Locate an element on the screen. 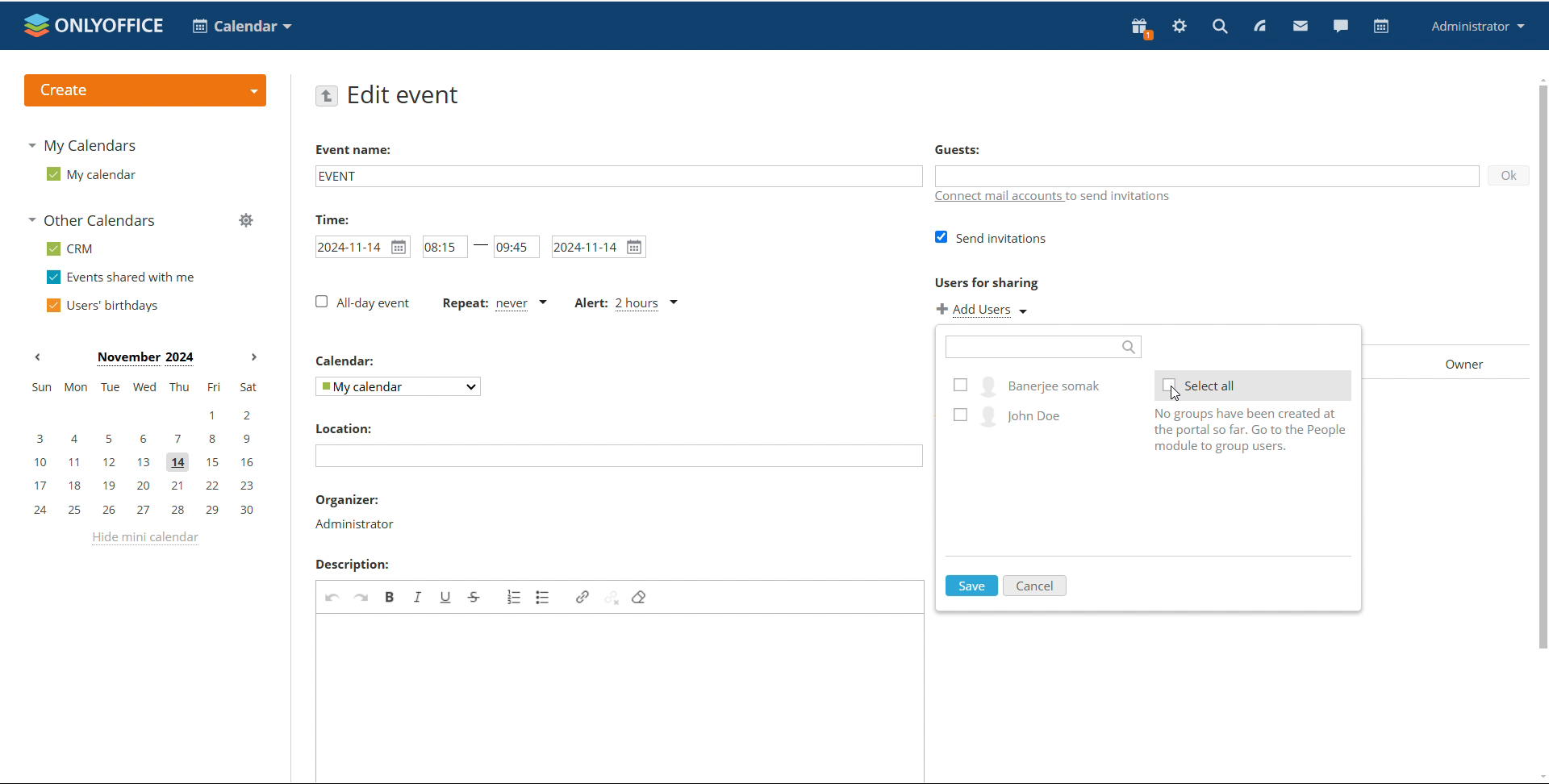 Image resolution: width=1549 pixels, height=784 pixels. undo is located at coordinates (333, 596).